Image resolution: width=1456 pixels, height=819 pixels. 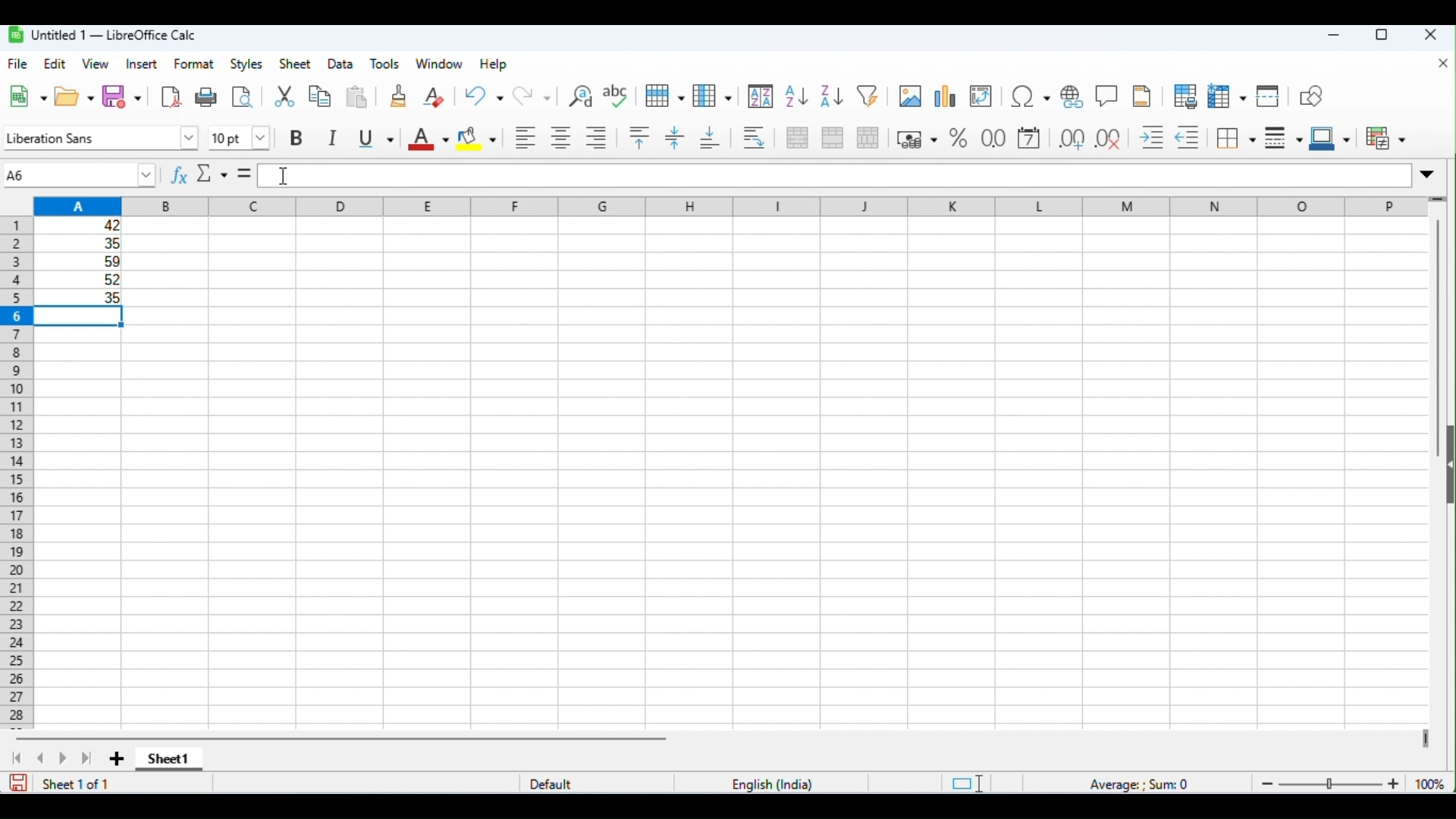 What do you see at coordinates (868, 137) in the screenshot?
I see `unmerge cells` at bounding box center [868, 137].